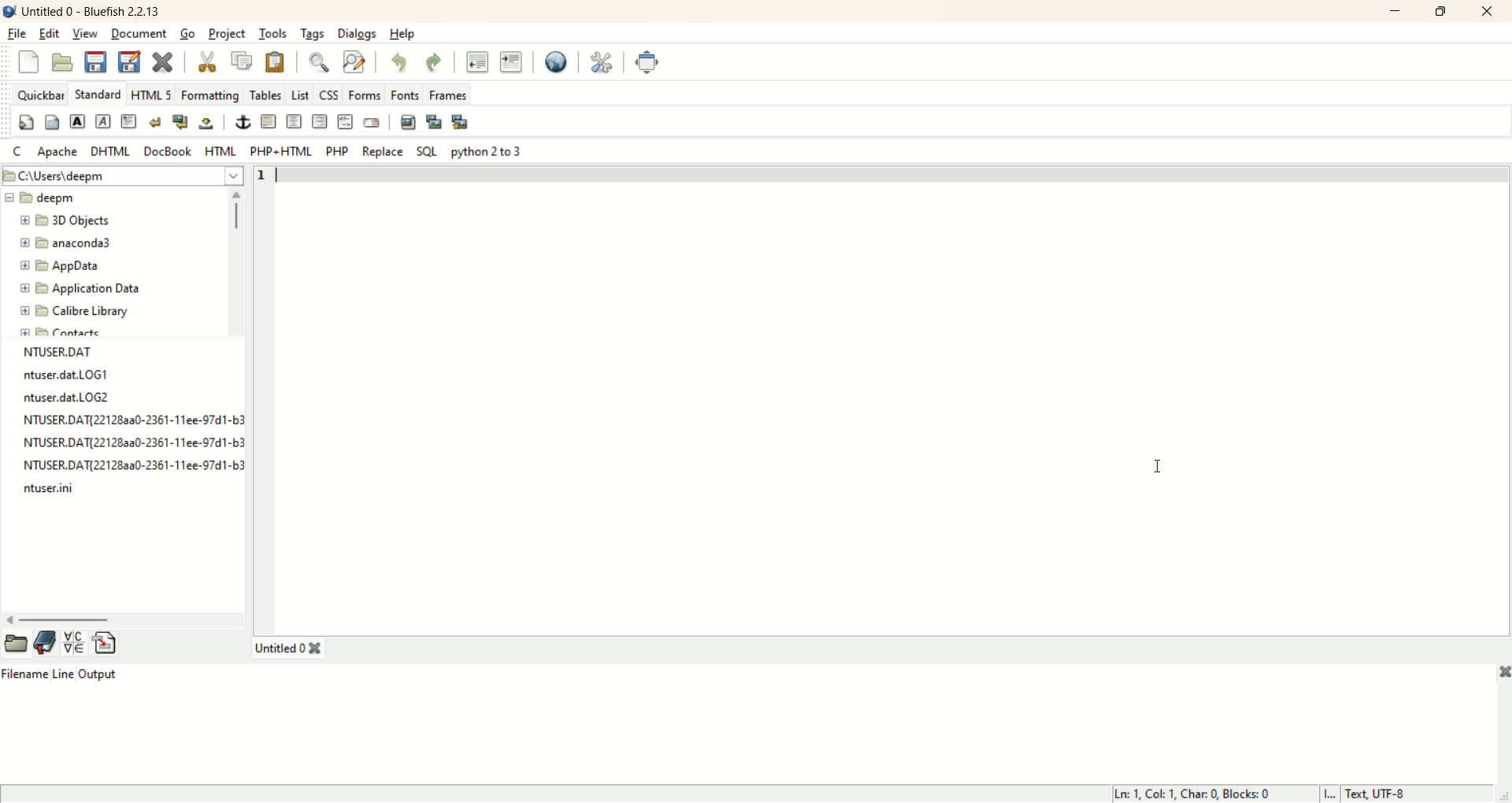 This screenshot has width=1512, height=803. What do you see at coordinates (294, 123) in the screenshot?
I see `center` at bounding box center [294, 123].